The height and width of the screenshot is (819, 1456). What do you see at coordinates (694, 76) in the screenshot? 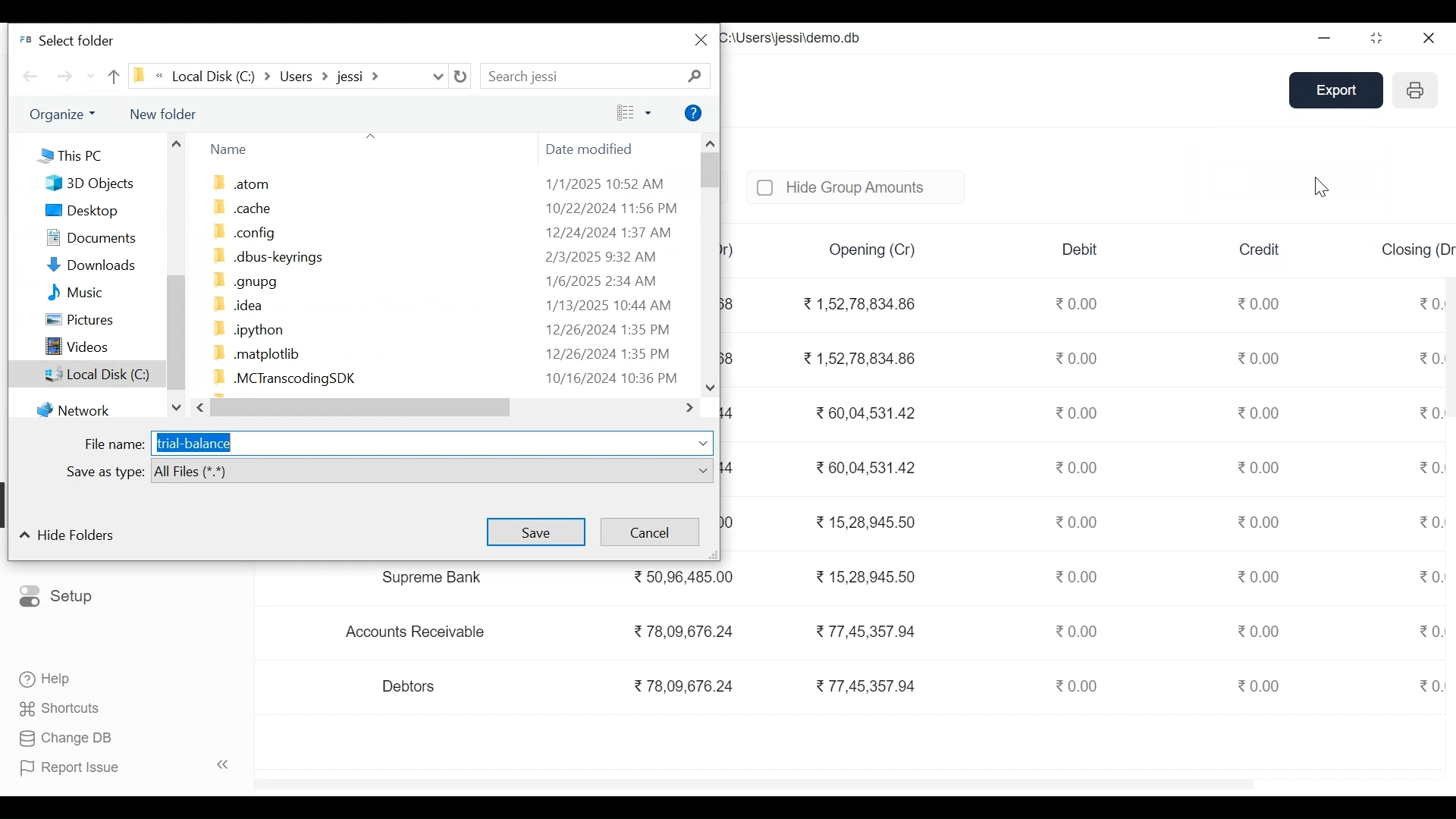
I see `Search` at bounding box center [694, 76].